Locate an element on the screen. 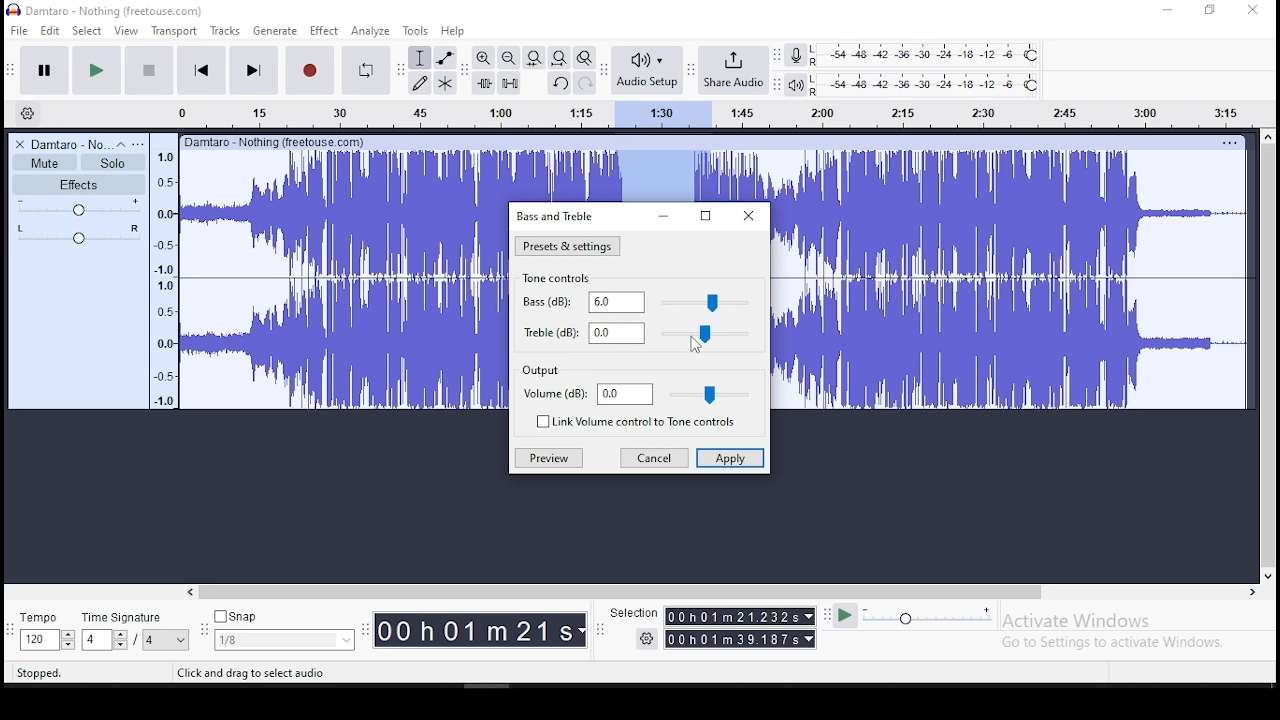 The width and height of the screenshot is (1280, 720). fit selection to width is located at coordinates (533, 56).